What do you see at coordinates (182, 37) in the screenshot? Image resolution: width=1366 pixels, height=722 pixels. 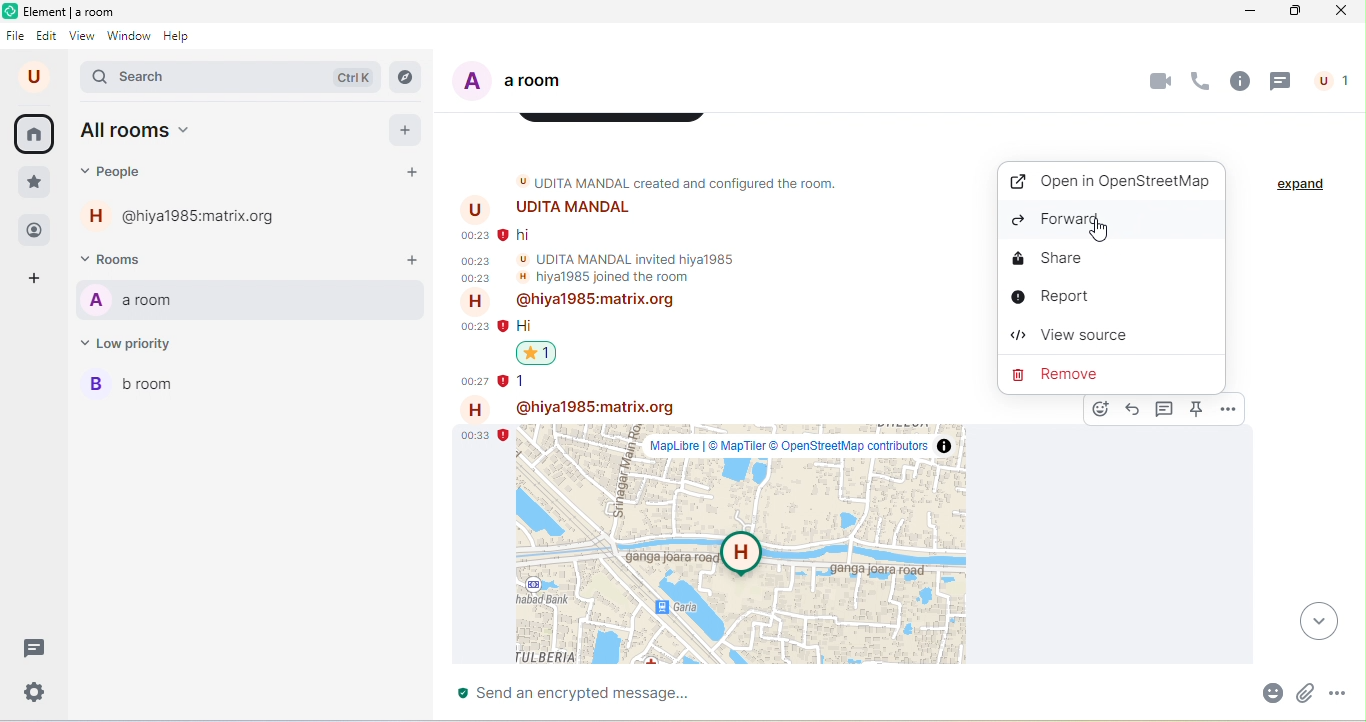 I see `help` at bounding box center [182, 37].